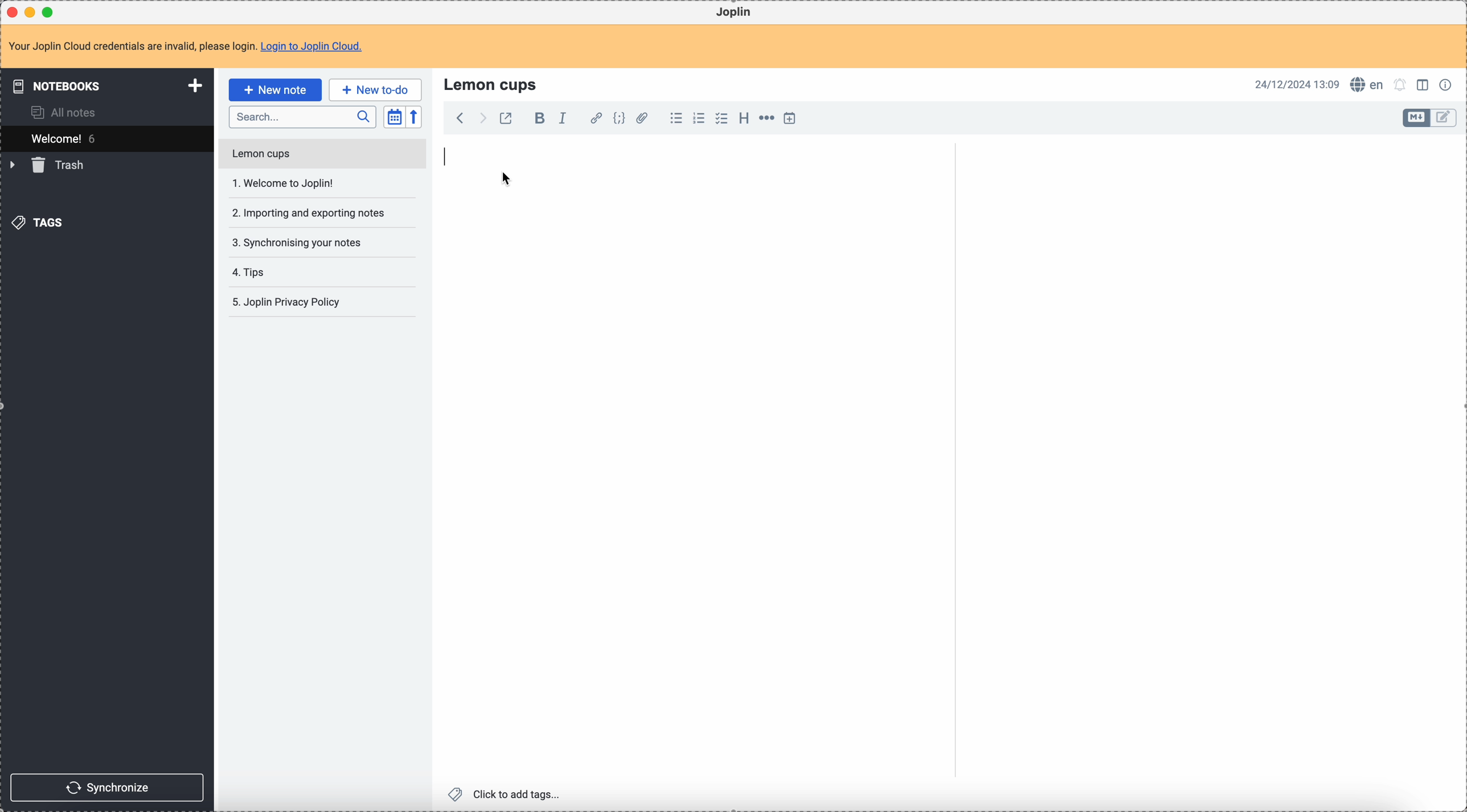  I want to click on notebooks, so click(109, 85).